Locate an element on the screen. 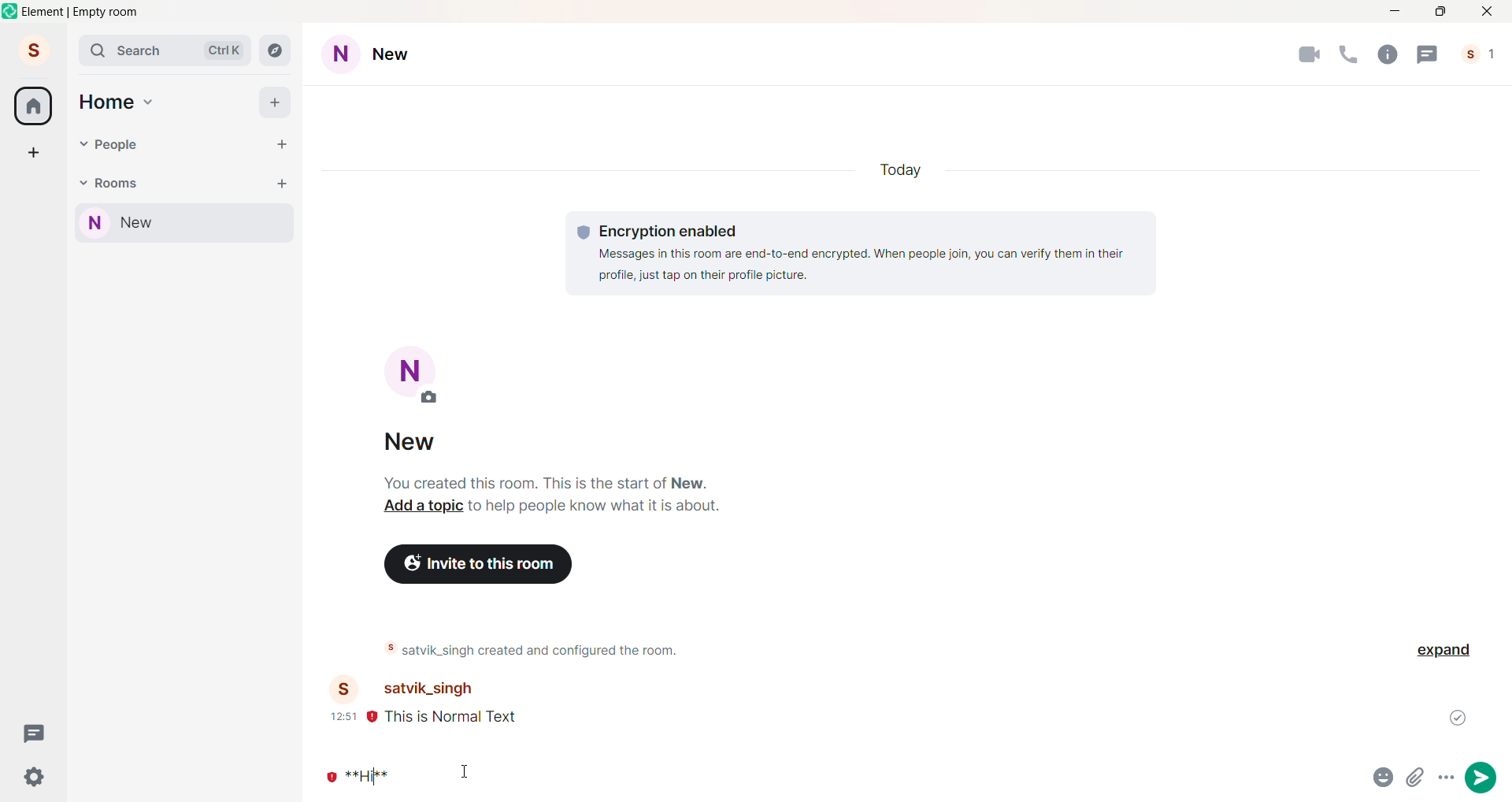  Search Bar is located at coordinates (167, 51).